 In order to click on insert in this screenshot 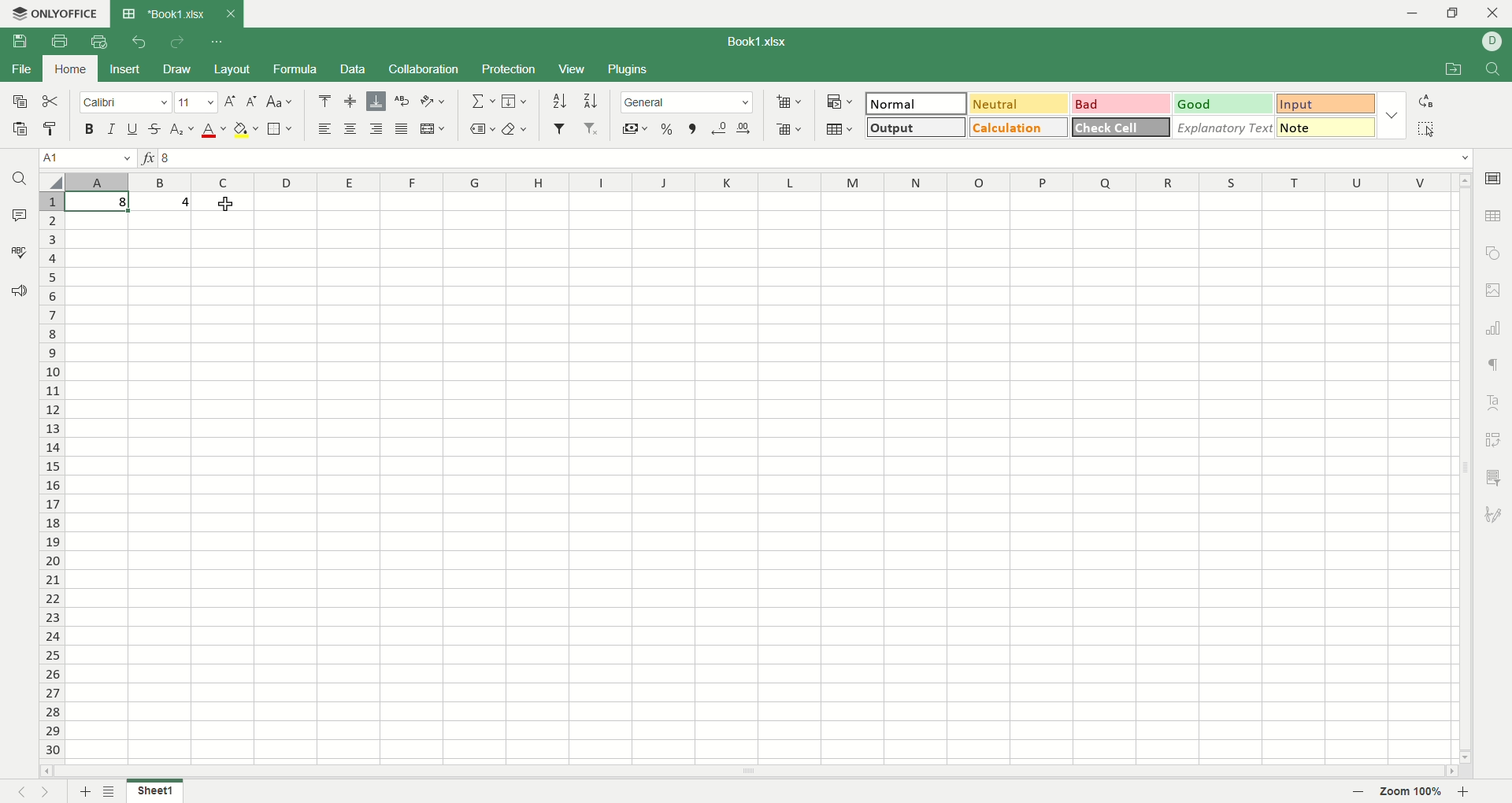, I will do `click(124, 70)`.